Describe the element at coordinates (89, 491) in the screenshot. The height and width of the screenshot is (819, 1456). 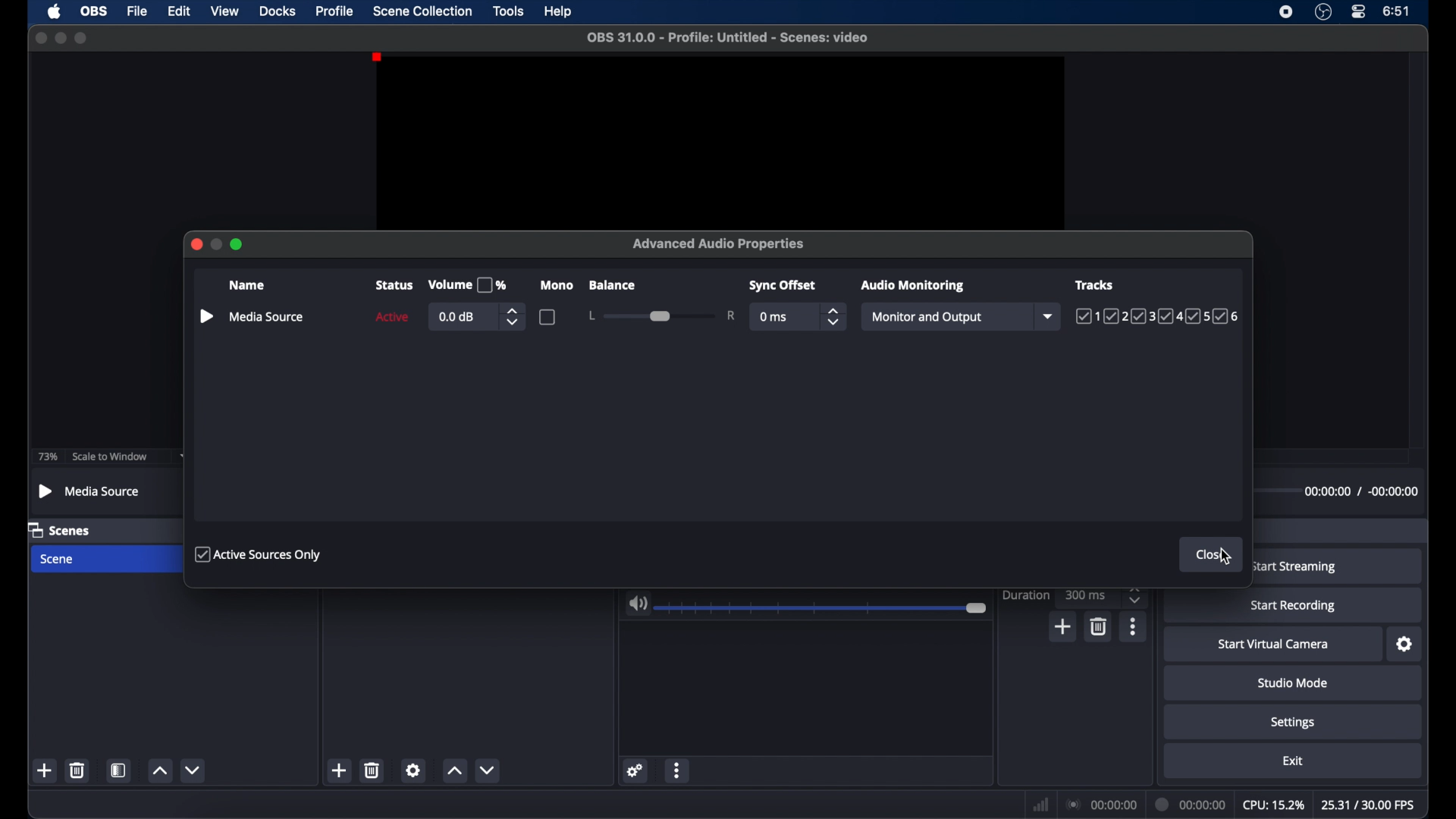
I see `media source` at that location.